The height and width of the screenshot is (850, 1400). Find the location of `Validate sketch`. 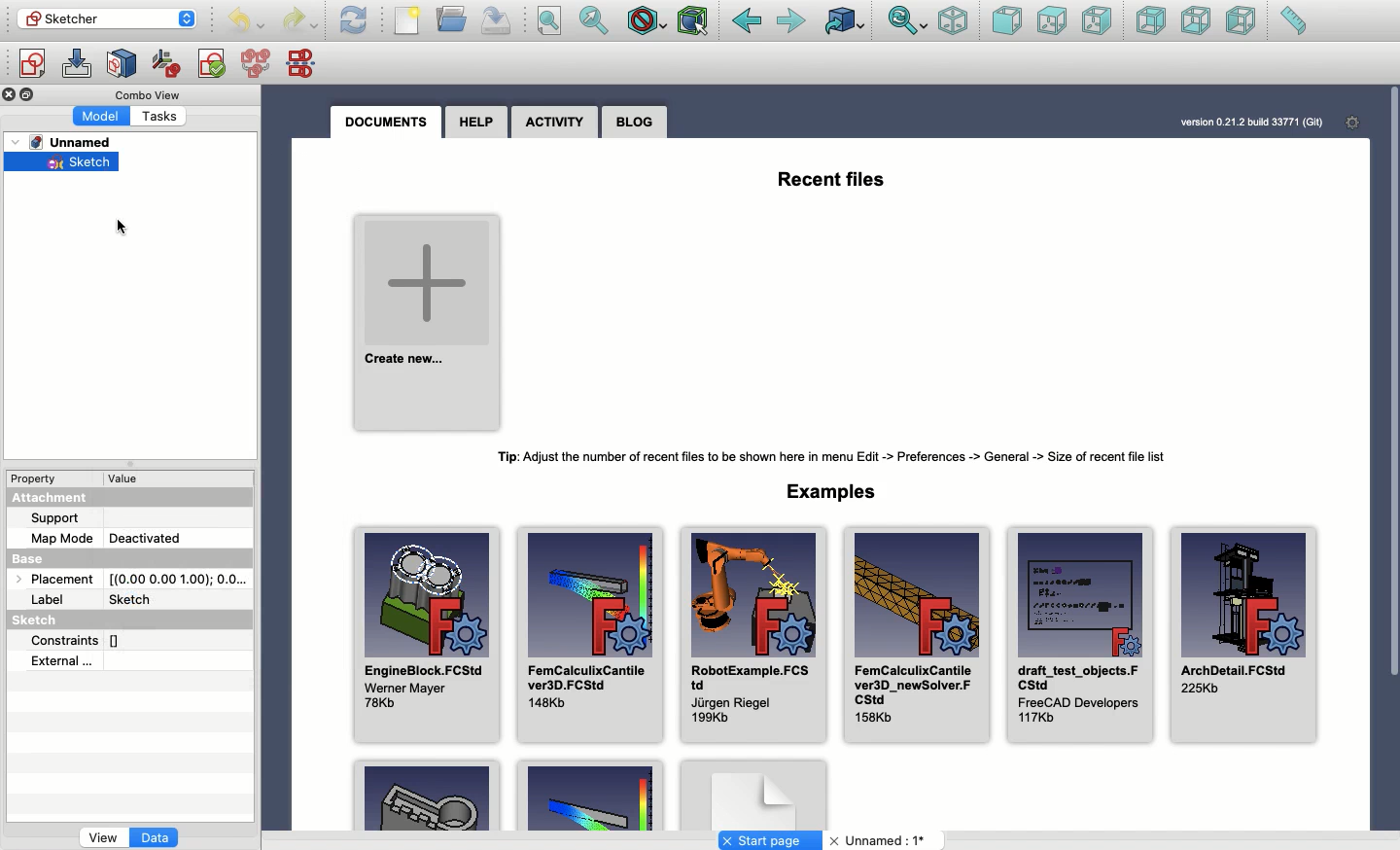

Validate sketch is located at coordinates (212, 67).